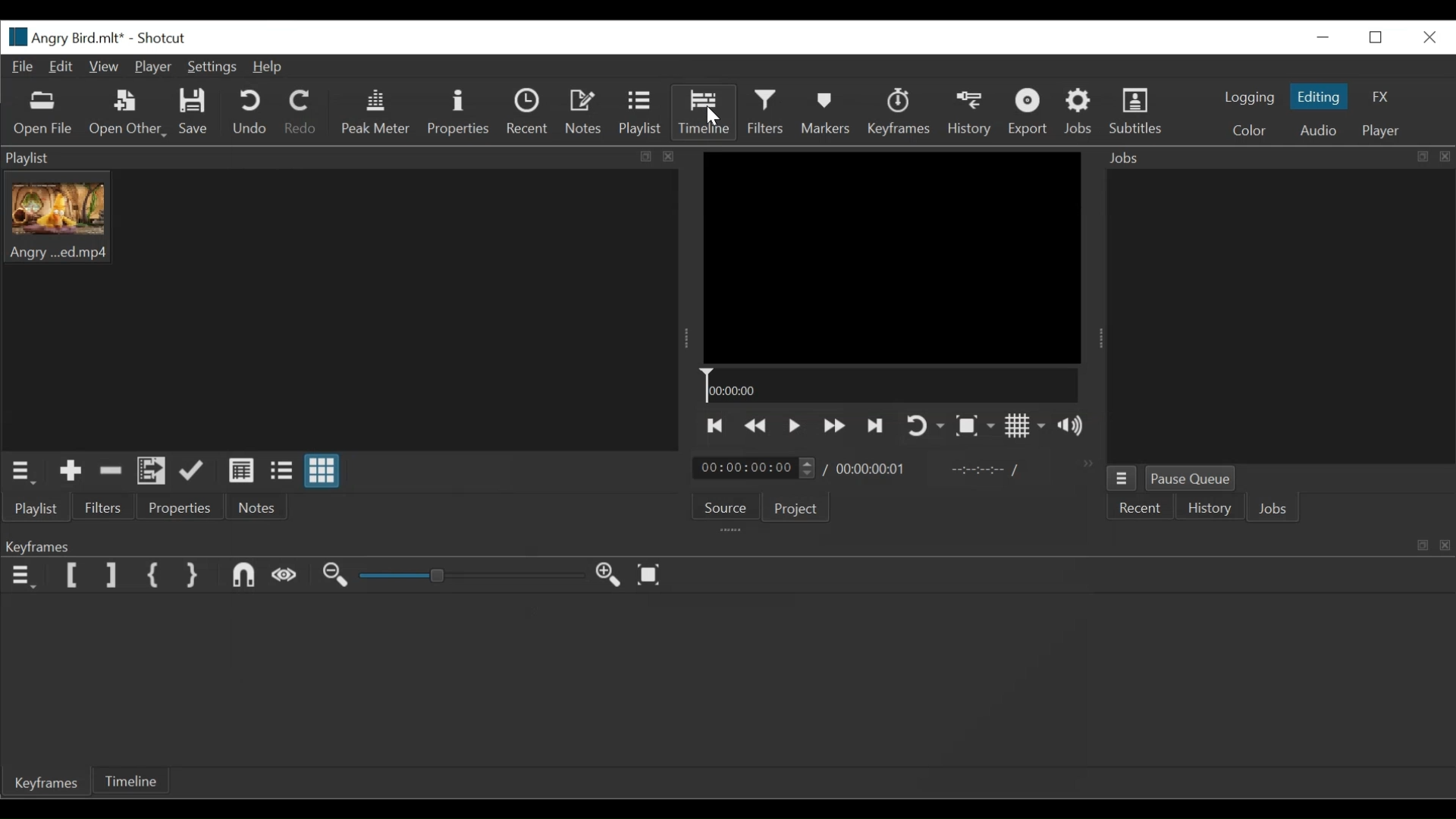  What do you see at coordinates (254, 507) in the screenshot?
I see `Notes` at bounding box center [254, 507].